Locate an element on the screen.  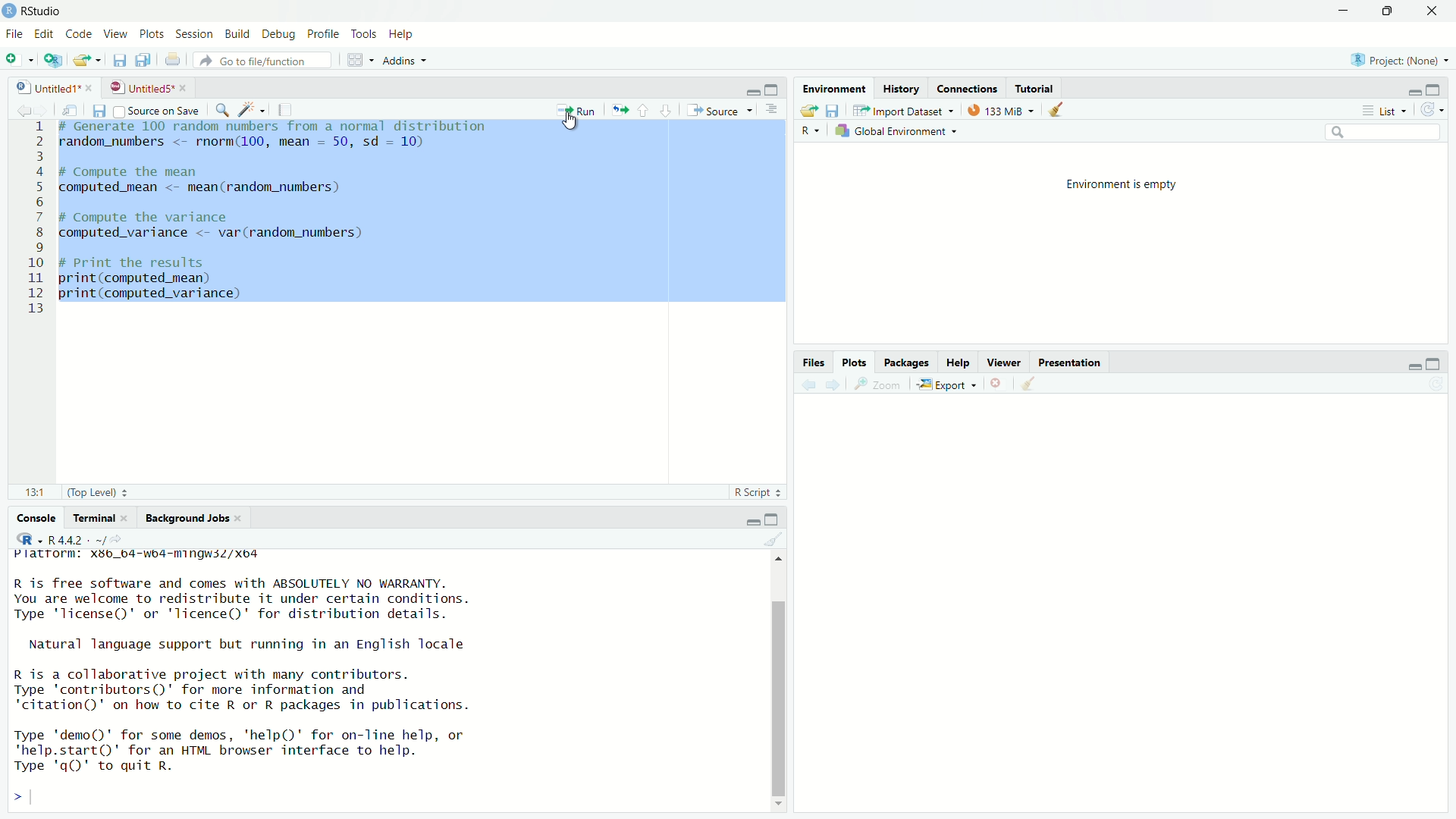
code tools is located at coordinates (250, 109).